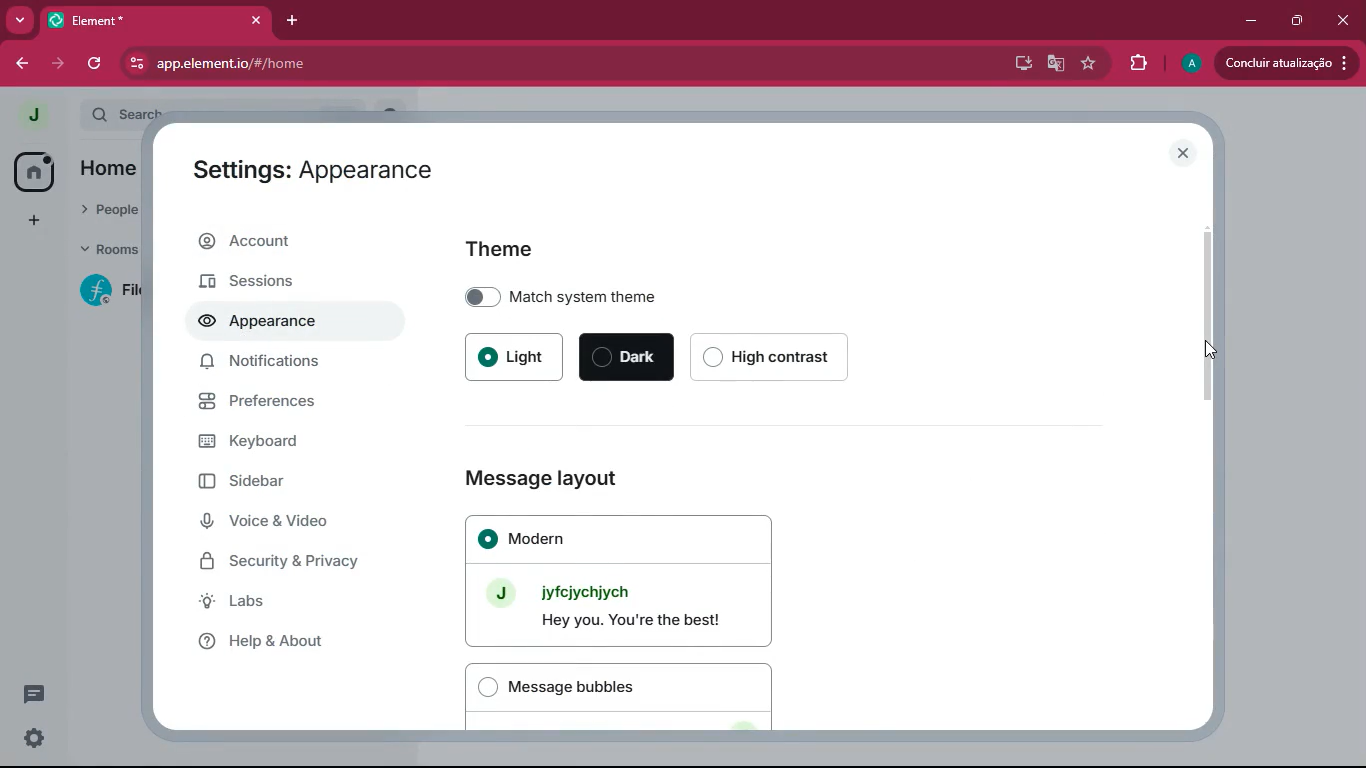 This screenshot has height=768, width=1366. Describe the element at coordinates (618, 695) in the screenshot. I see `Message bubbles` at that location.